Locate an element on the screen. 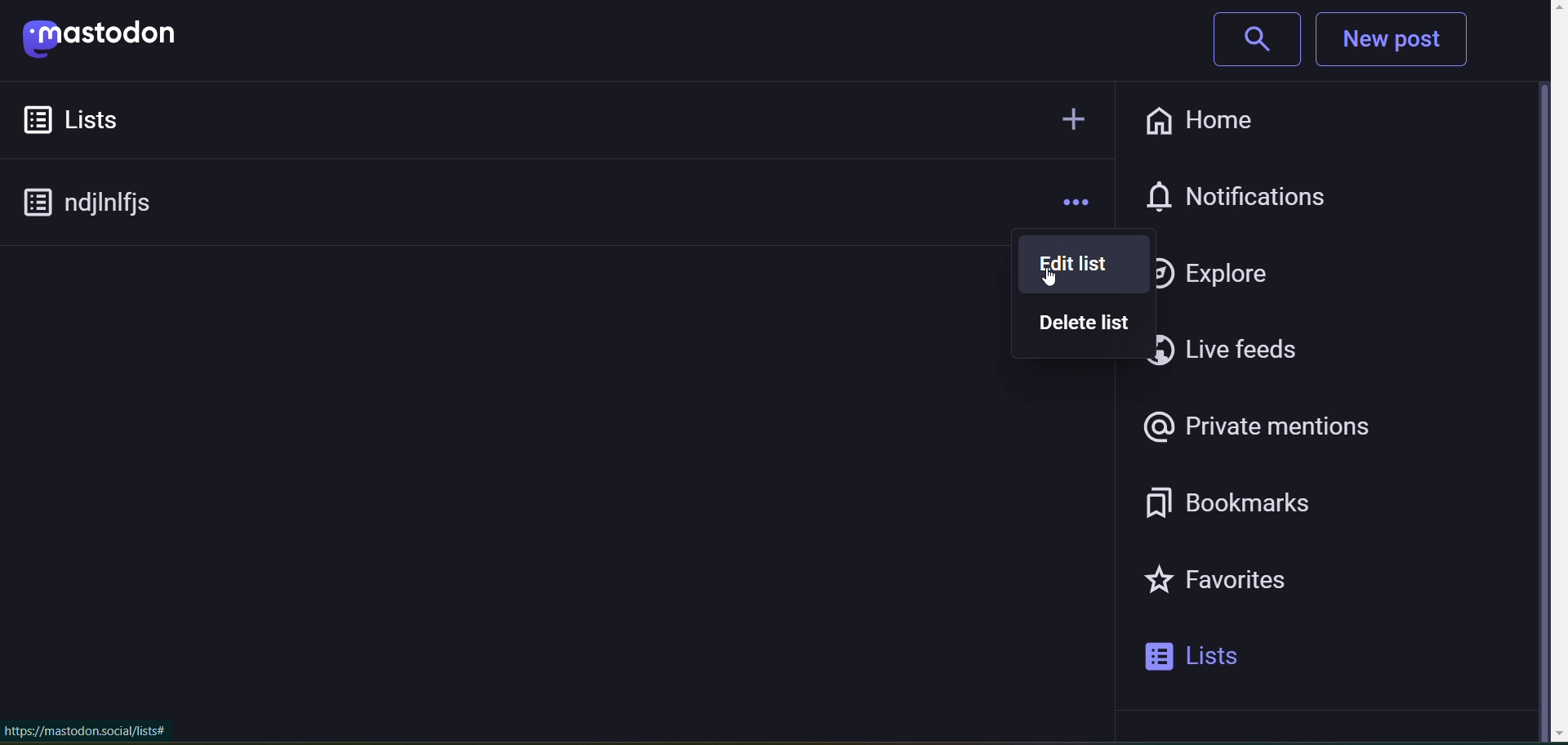 The height and width of the screenshot is (745, 1568). bookmarks is located at coordinates (1250, 503).